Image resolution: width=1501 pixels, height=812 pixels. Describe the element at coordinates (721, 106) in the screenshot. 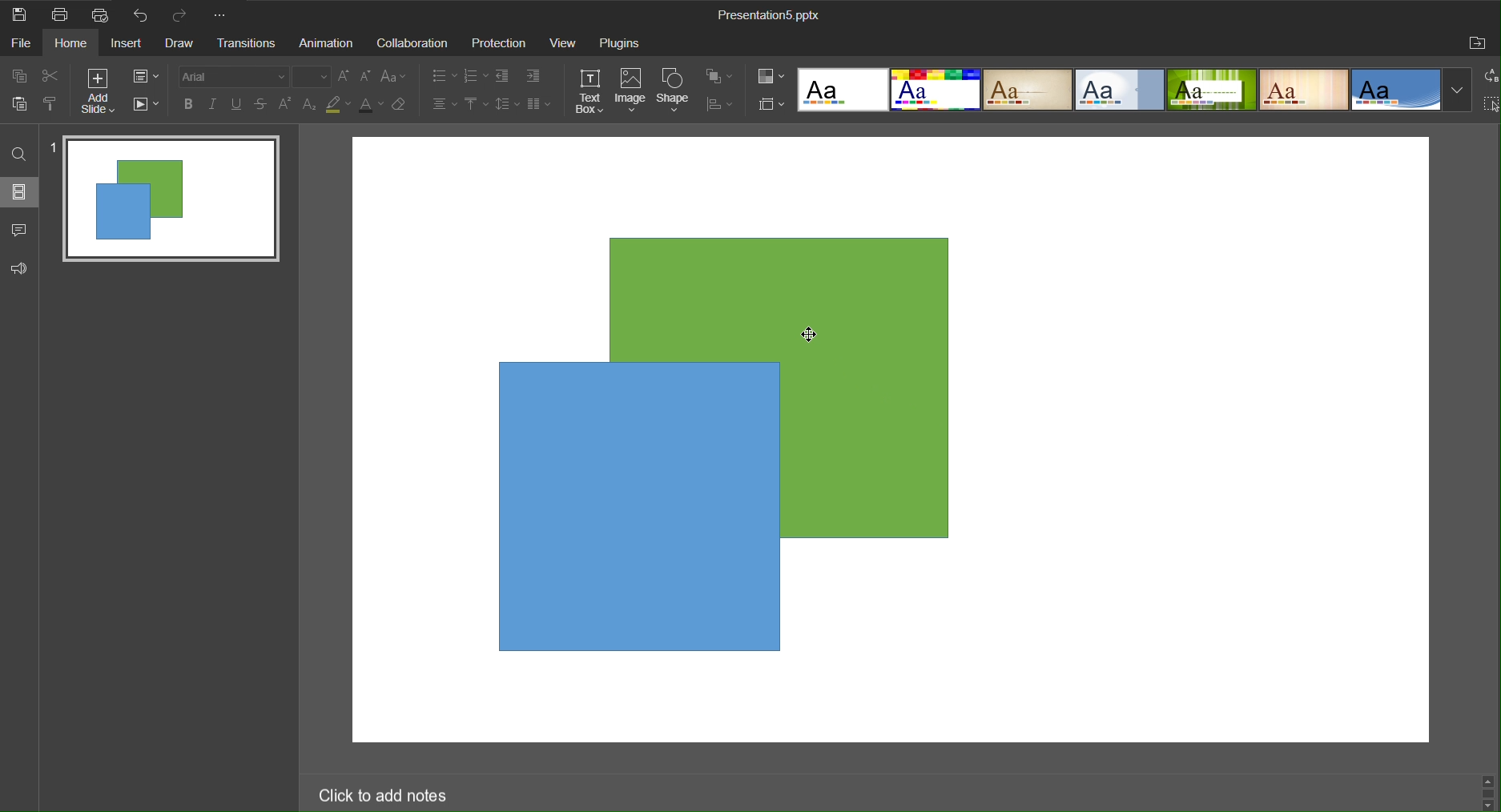

I see `Distribute` at that location.